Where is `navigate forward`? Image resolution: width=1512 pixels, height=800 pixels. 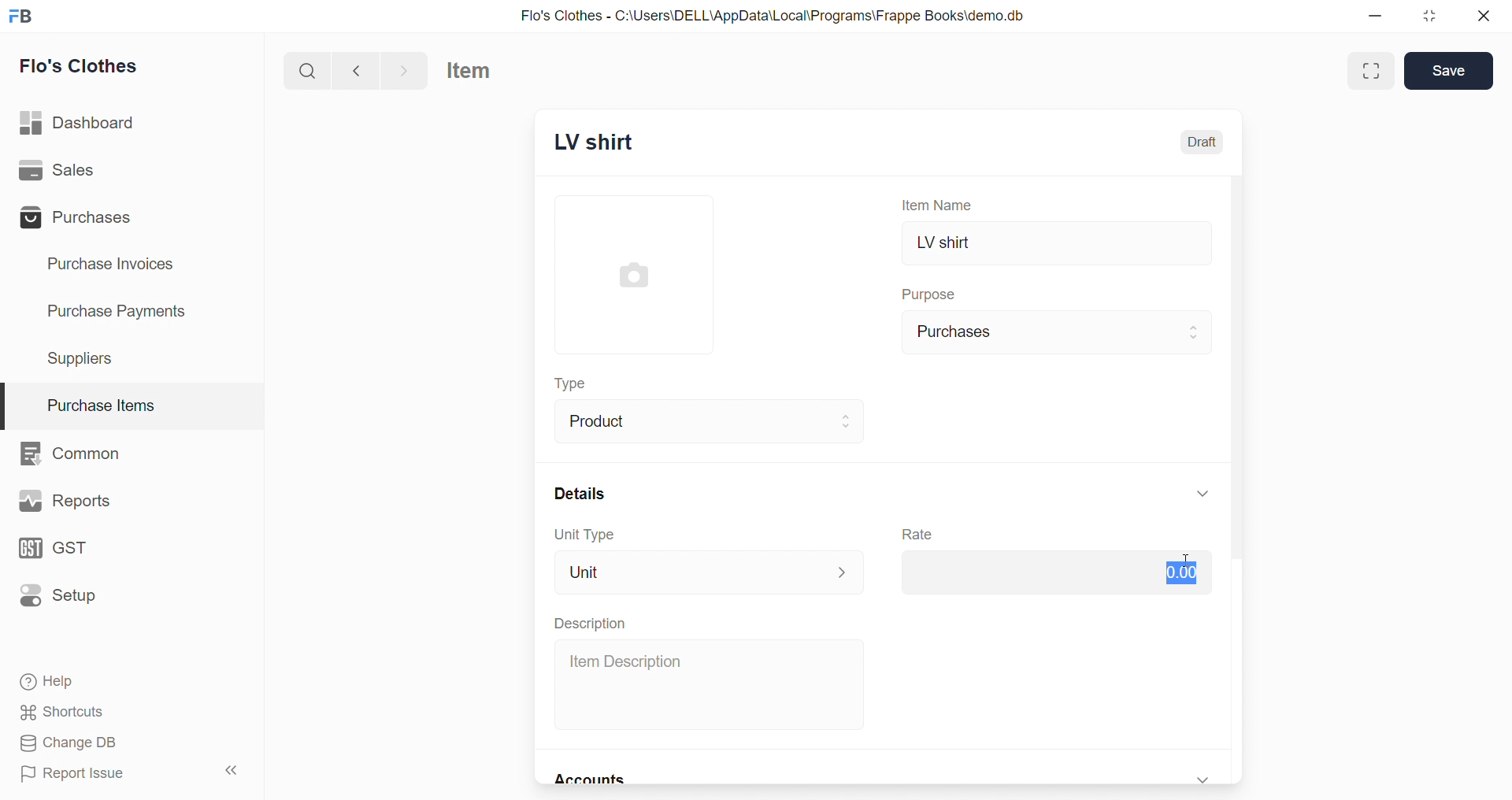 navigate forward is located at coordinates (406, 70).